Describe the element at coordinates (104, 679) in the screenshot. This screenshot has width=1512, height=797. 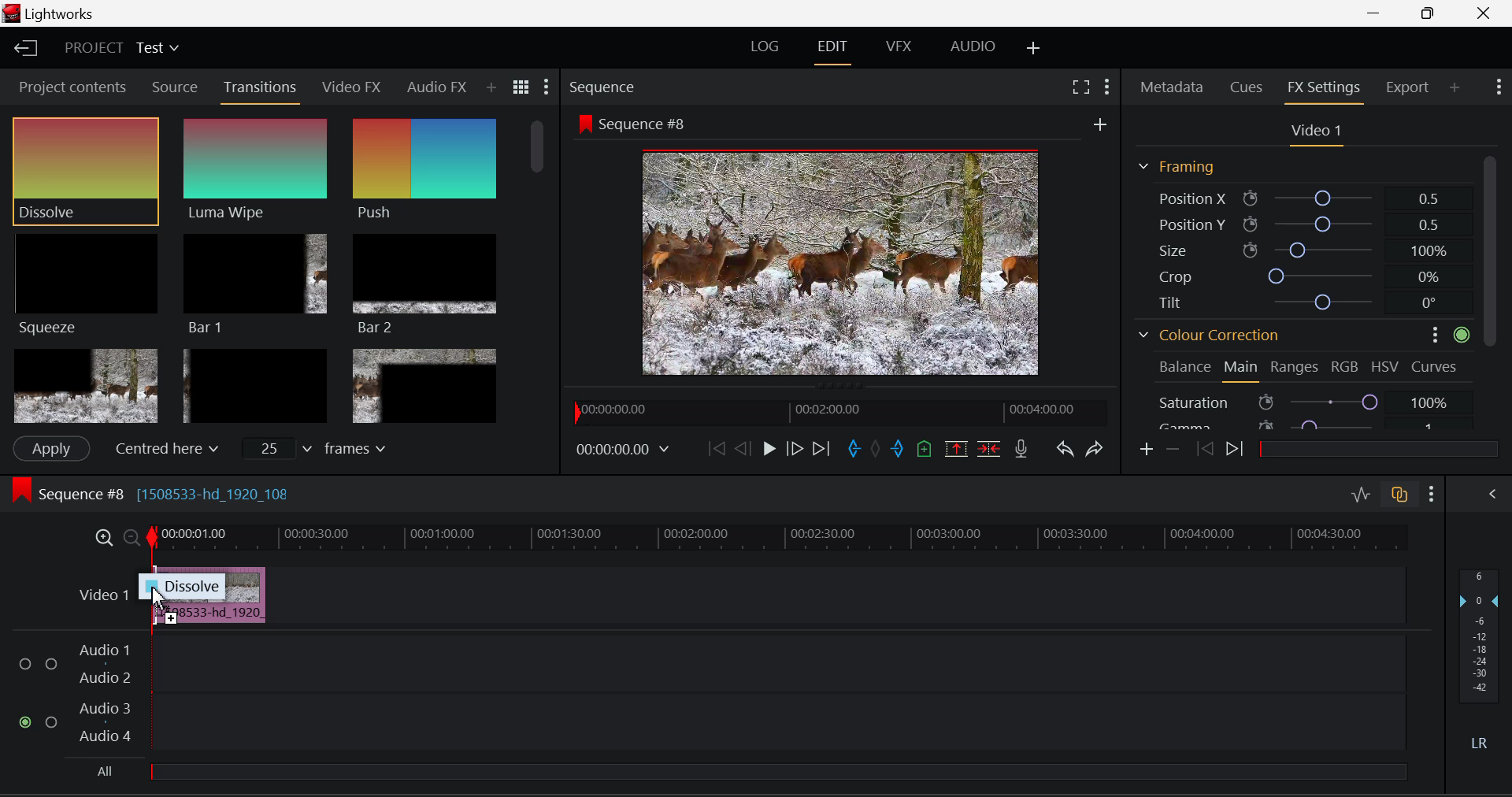
I see `Audio 2` at that location.